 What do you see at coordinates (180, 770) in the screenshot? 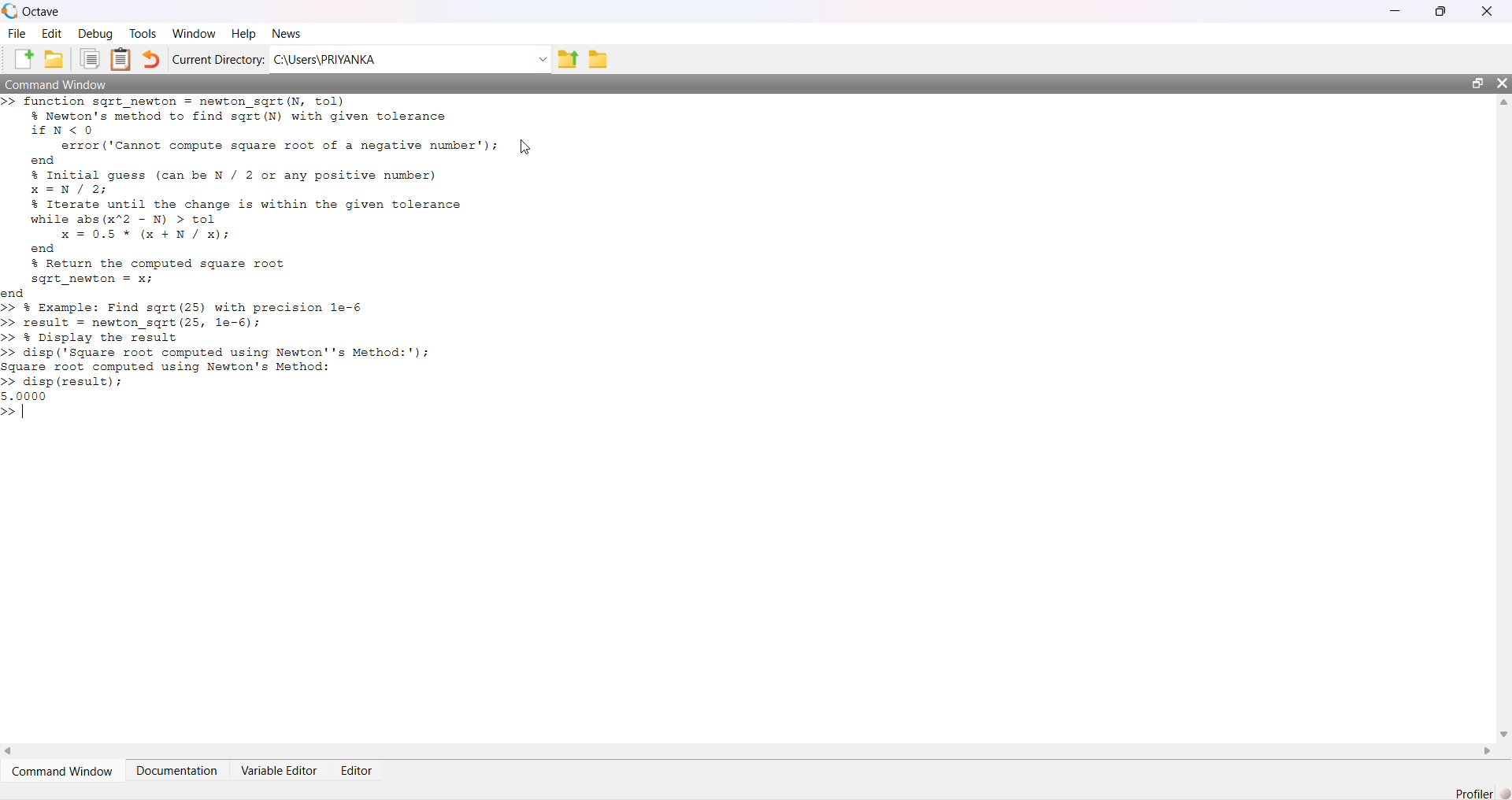
I see `Documentation` at bounding box center [180, 770].